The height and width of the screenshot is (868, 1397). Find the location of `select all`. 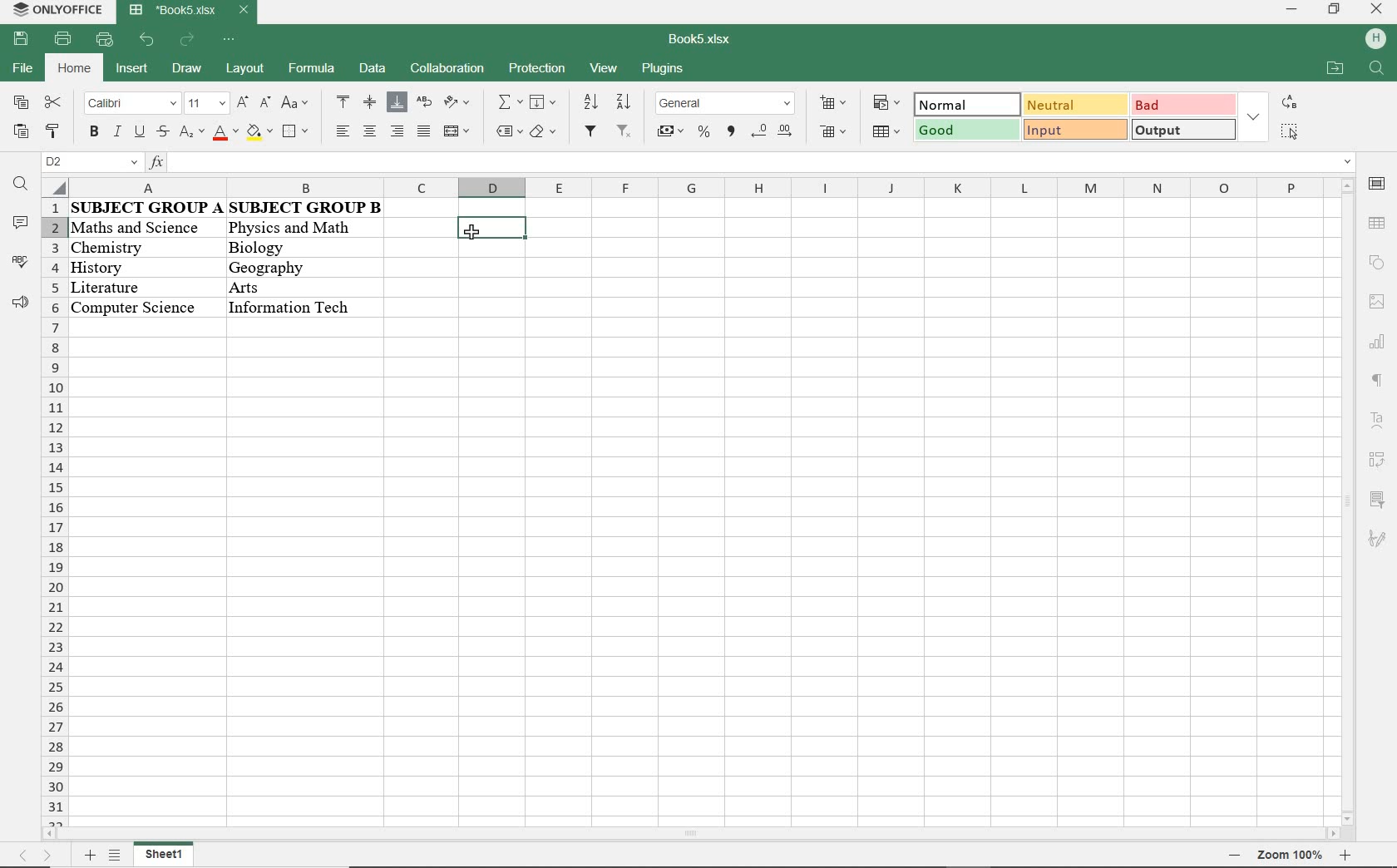

select all is located at coordinates (1290, 131).